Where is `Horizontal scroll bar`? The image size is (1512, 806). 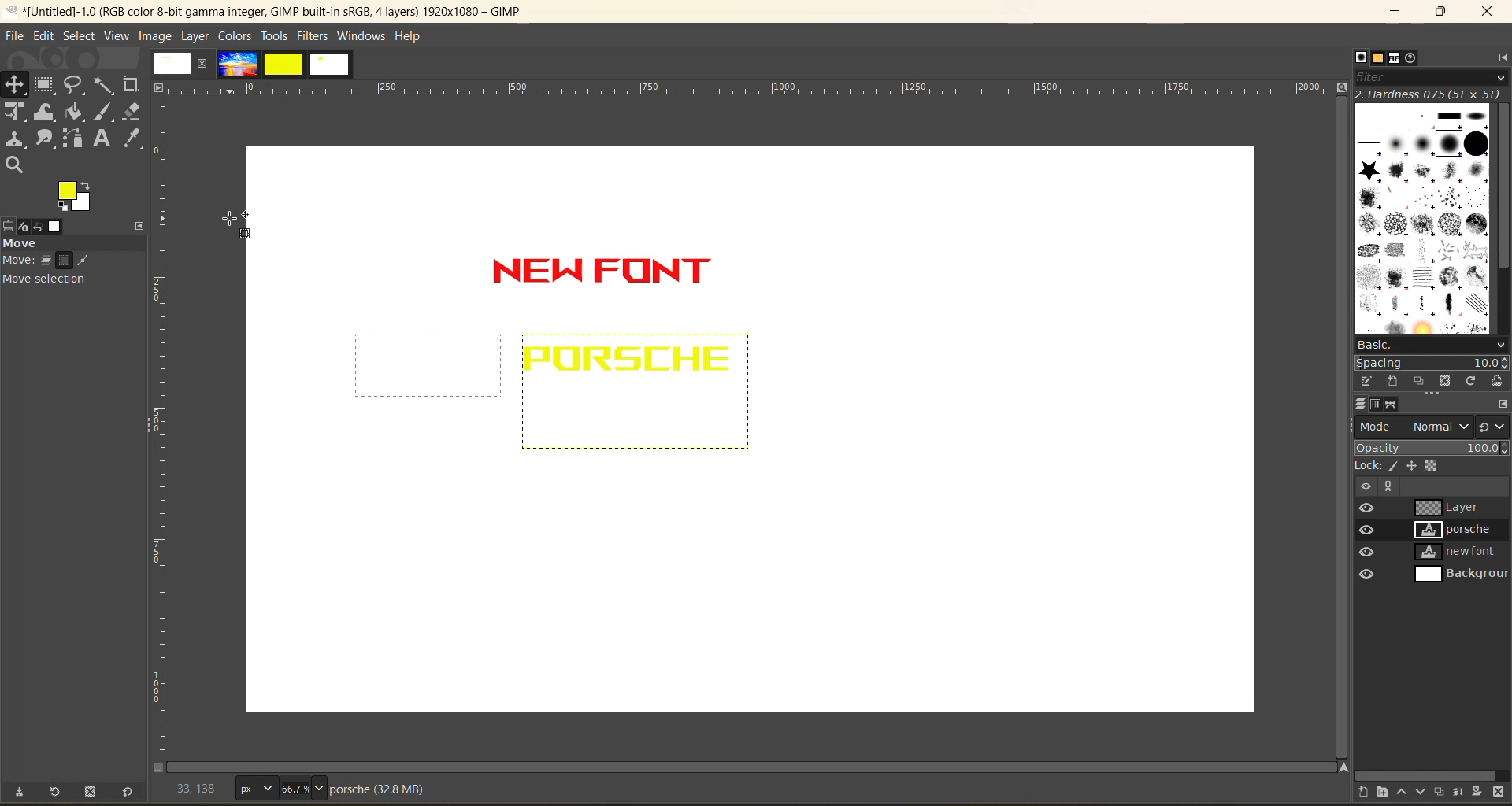
Horizontal scroll bar is located at coordinates (669, 763).